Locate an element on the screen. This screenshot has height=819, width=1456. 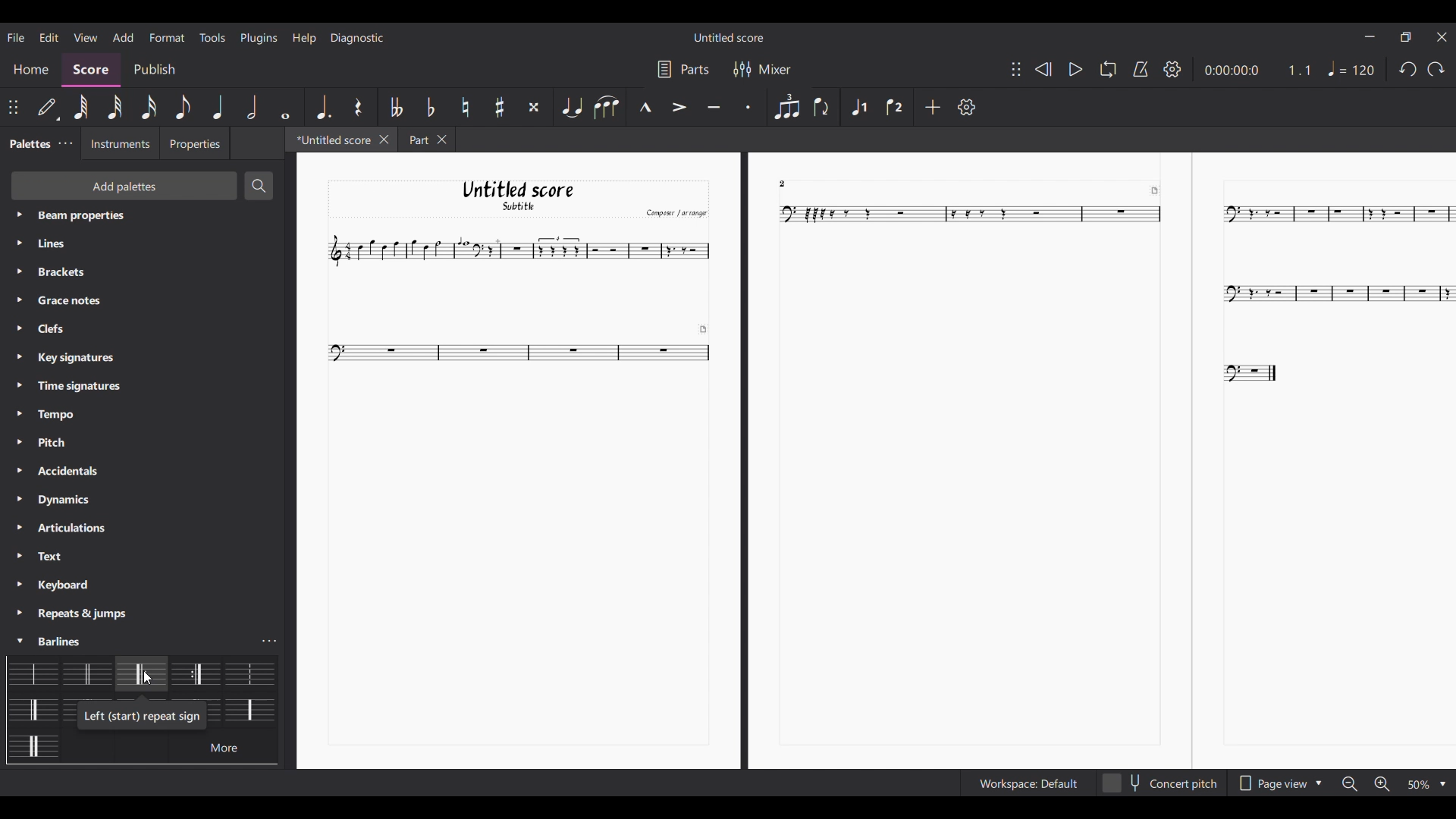
Minimize is located at coordinates (1370, 37).